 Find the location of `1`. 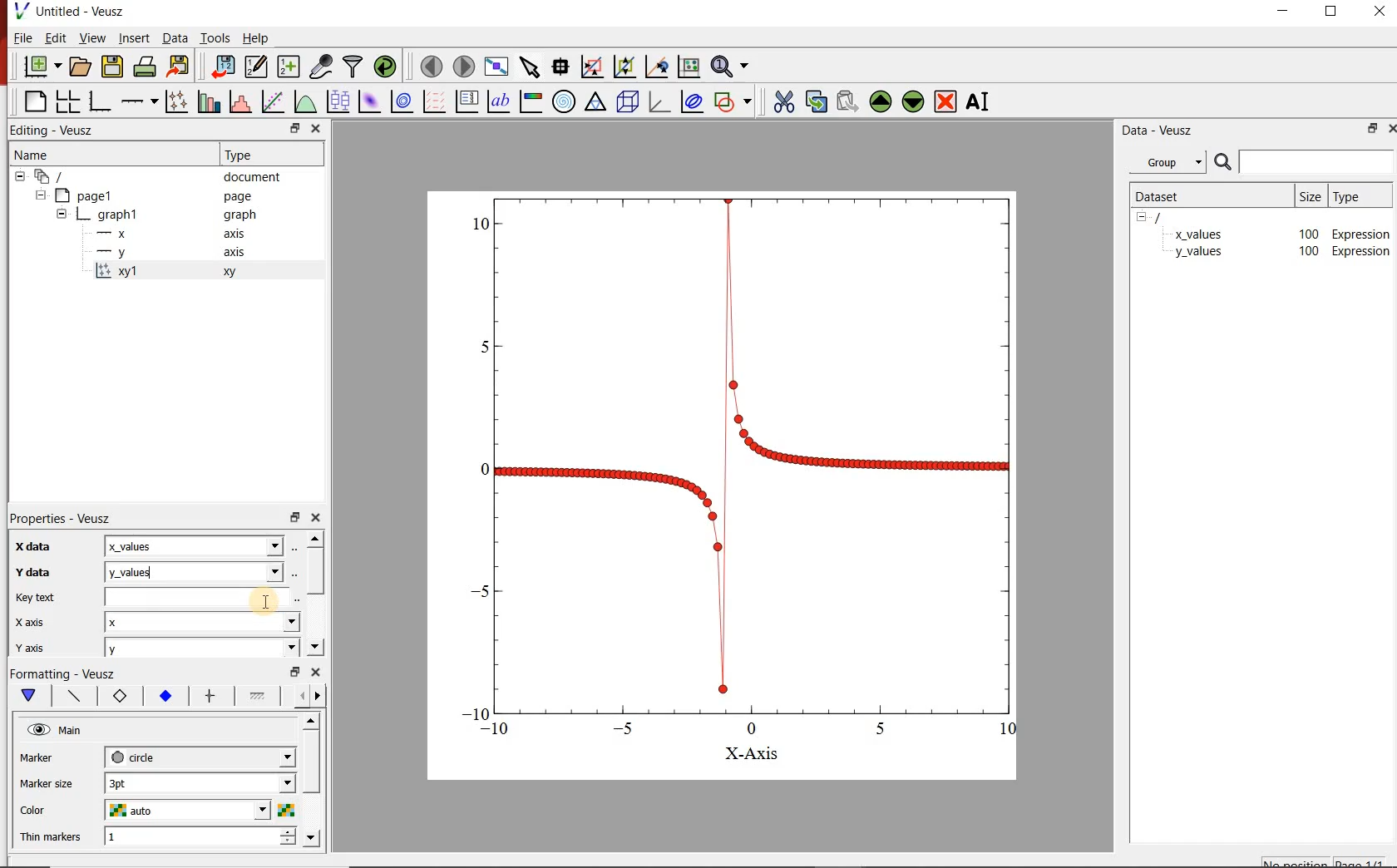

1 is located at coordinates (203, 835).